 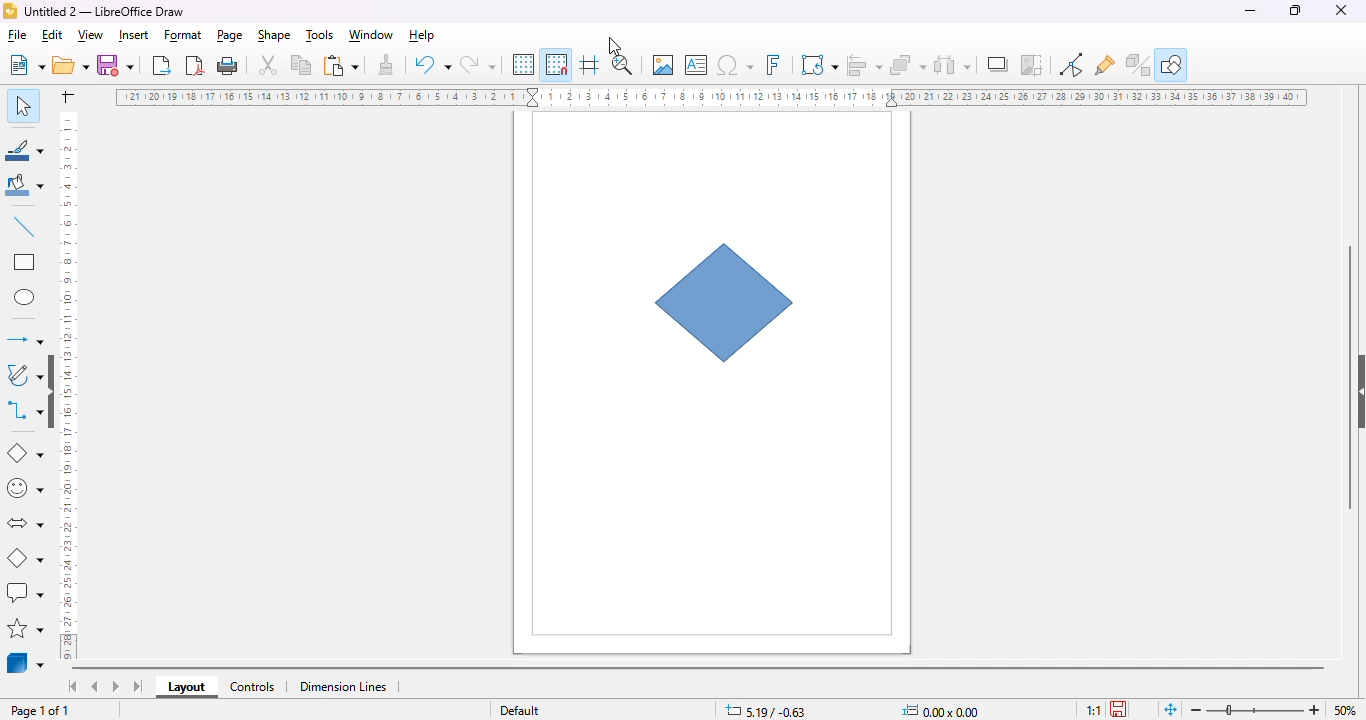 I want to click on save, so click(x=118, y=65).